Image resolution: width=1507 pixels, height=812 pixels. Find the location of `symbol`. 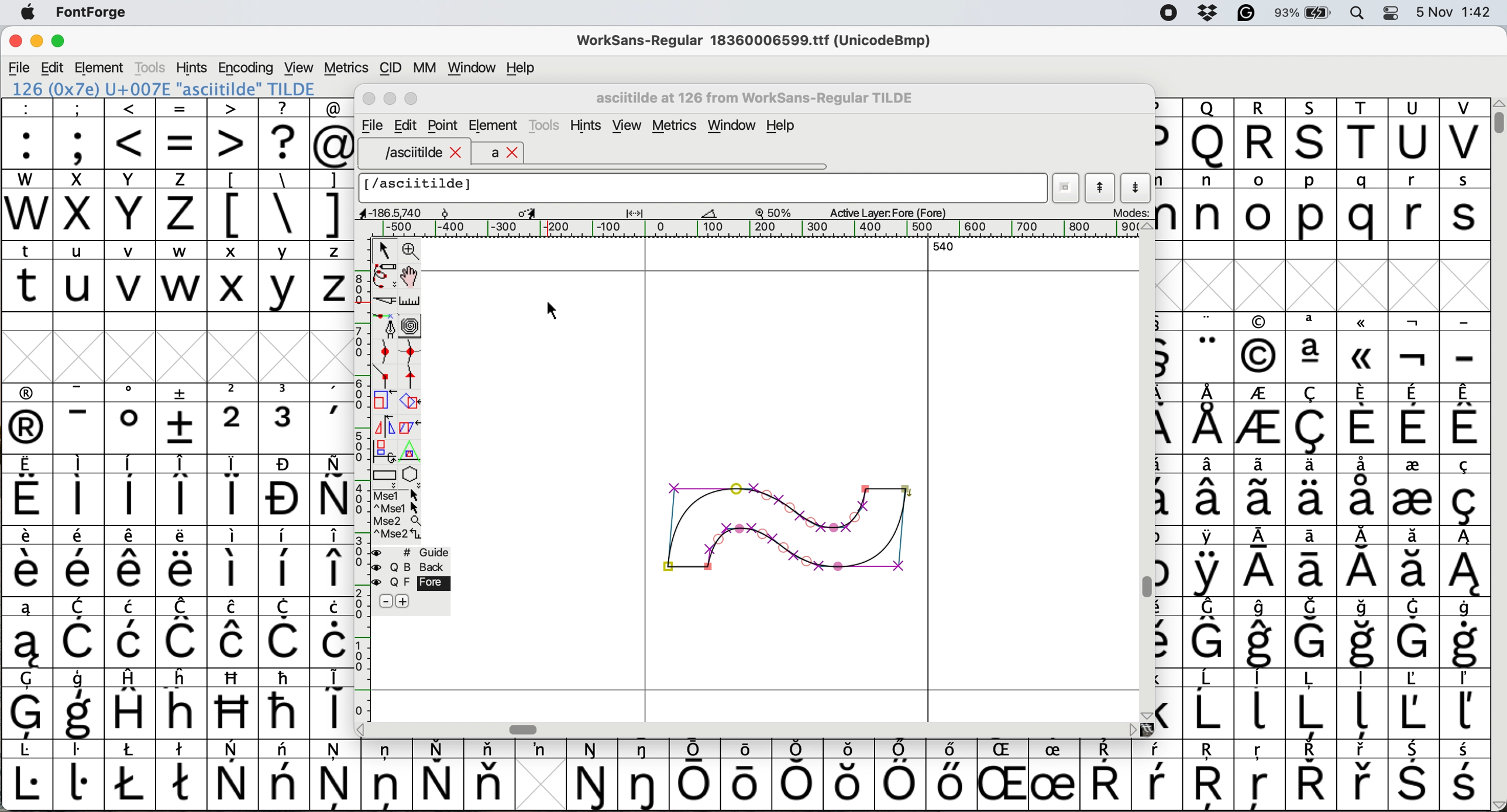

symbol is located at coordinates (1365, 705).